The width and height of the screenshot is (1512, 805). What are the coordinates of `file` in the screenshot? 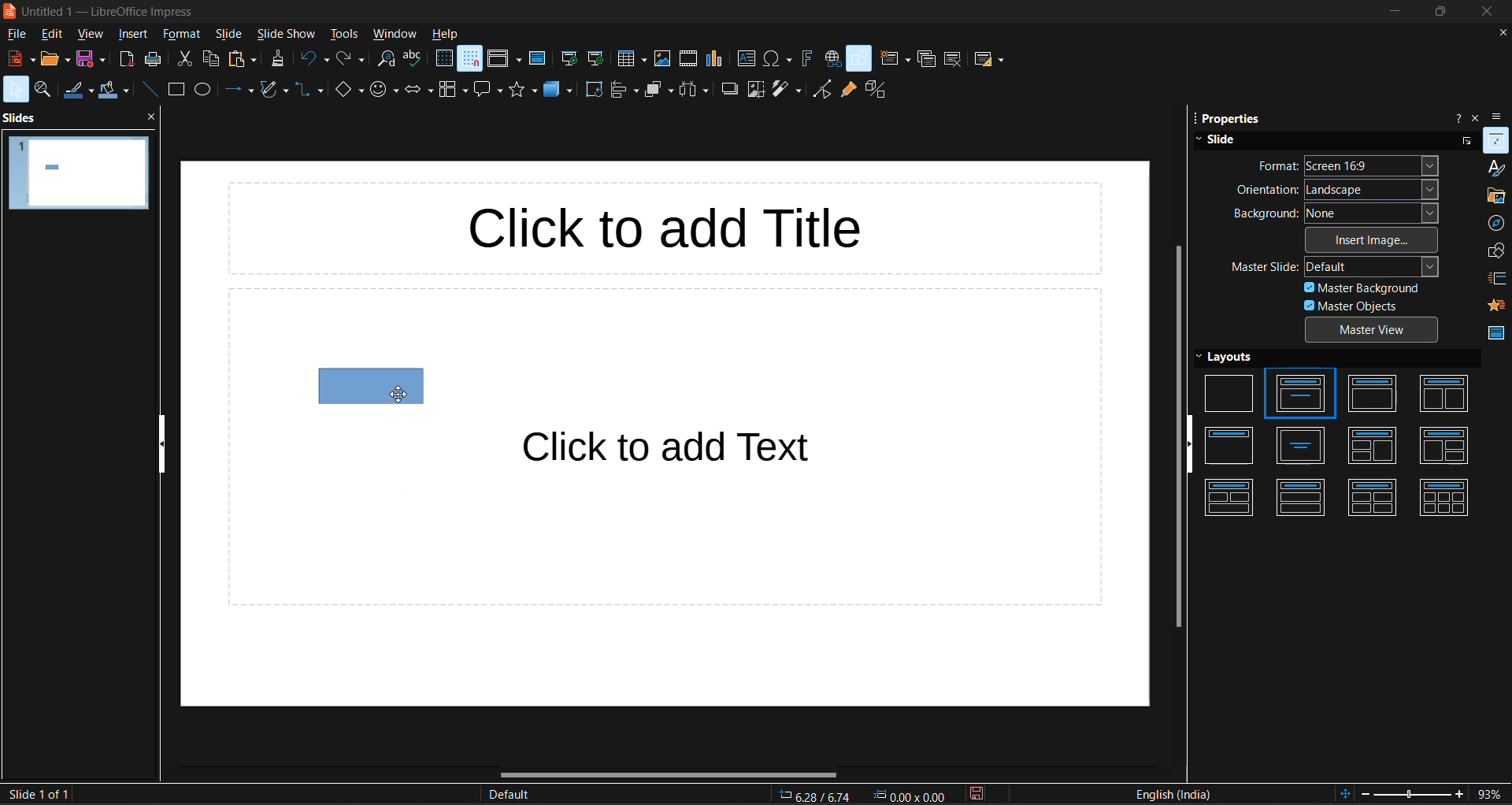 It's located at (18, 34).